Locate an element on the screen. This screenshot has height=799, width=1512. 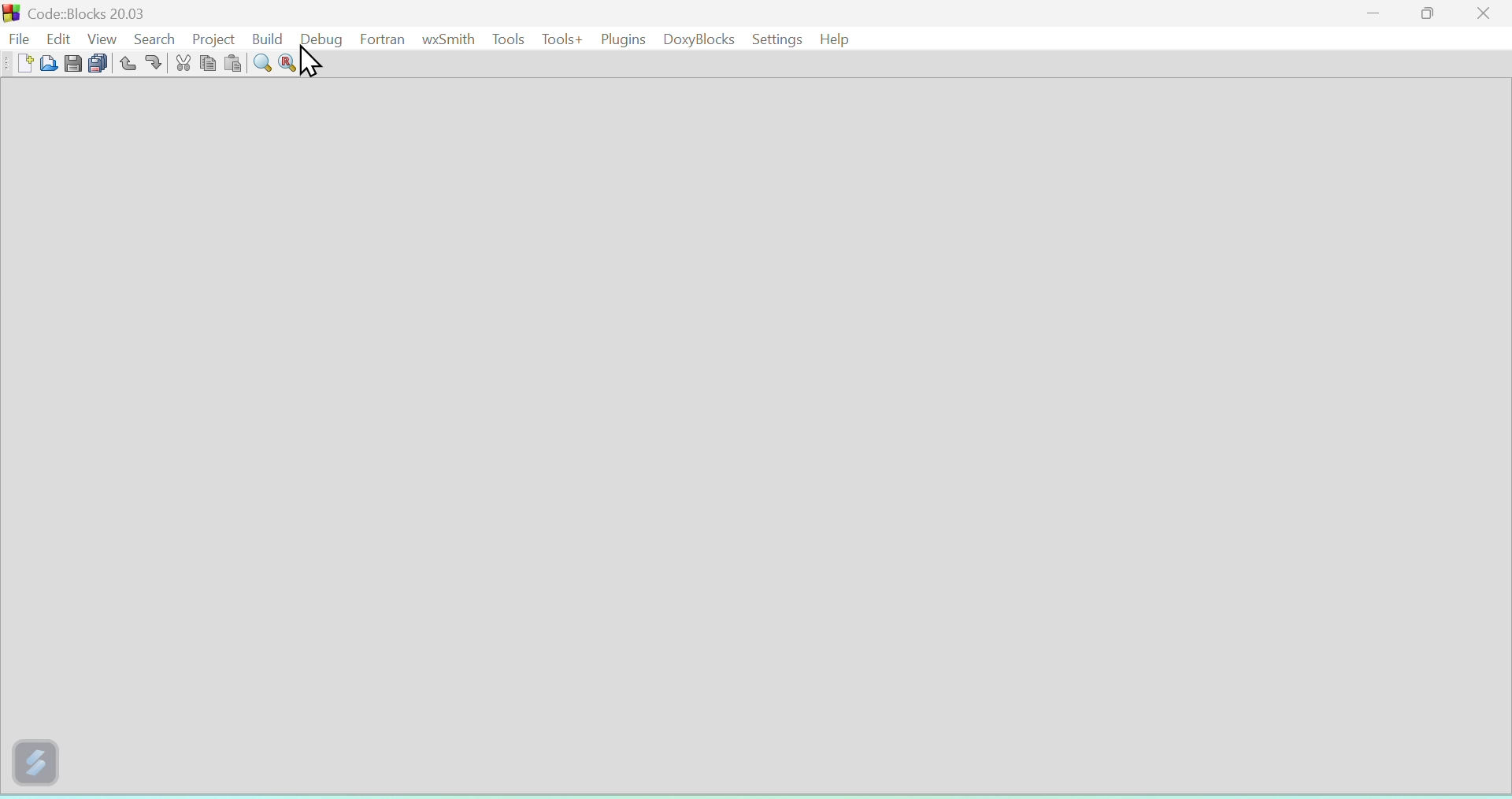
close is located at coordinates (1485, 13).